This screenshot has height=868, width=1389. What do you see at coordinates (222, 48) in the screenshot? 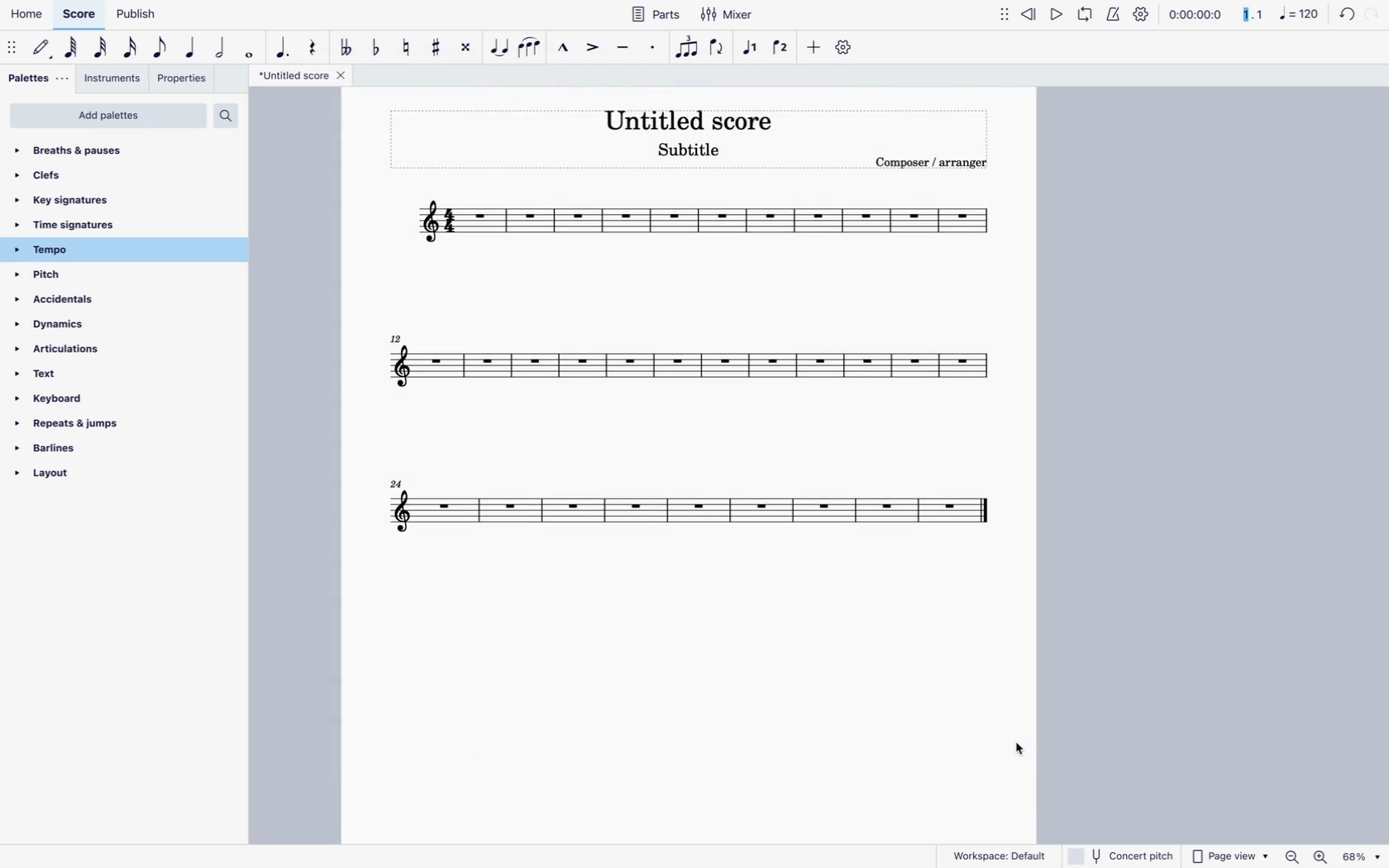
I see `half note` at bounding box center [222, 48].